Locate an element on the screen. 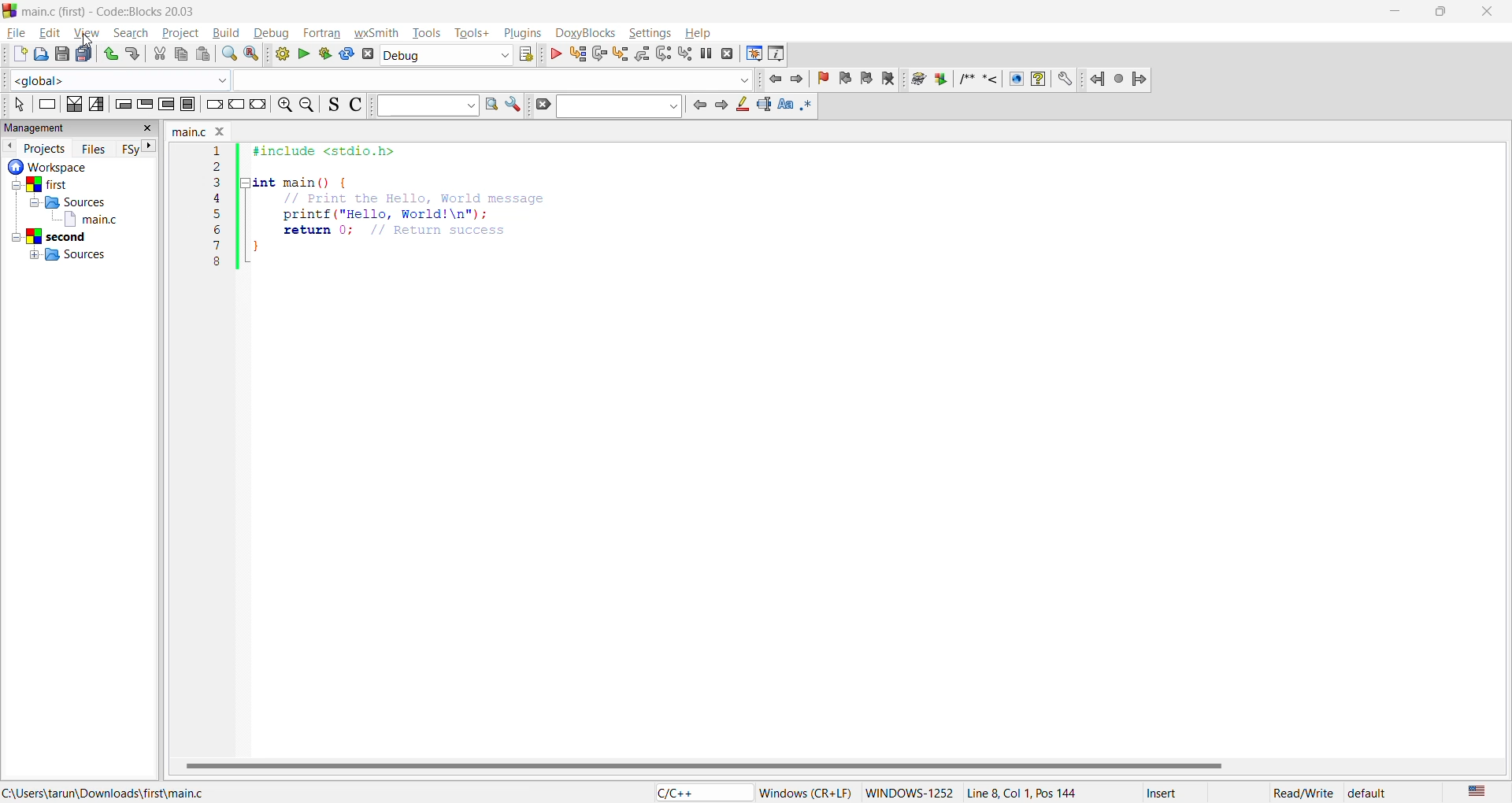 The image size is (1512, 803). run to cursor is located at coordinates (576, 54).